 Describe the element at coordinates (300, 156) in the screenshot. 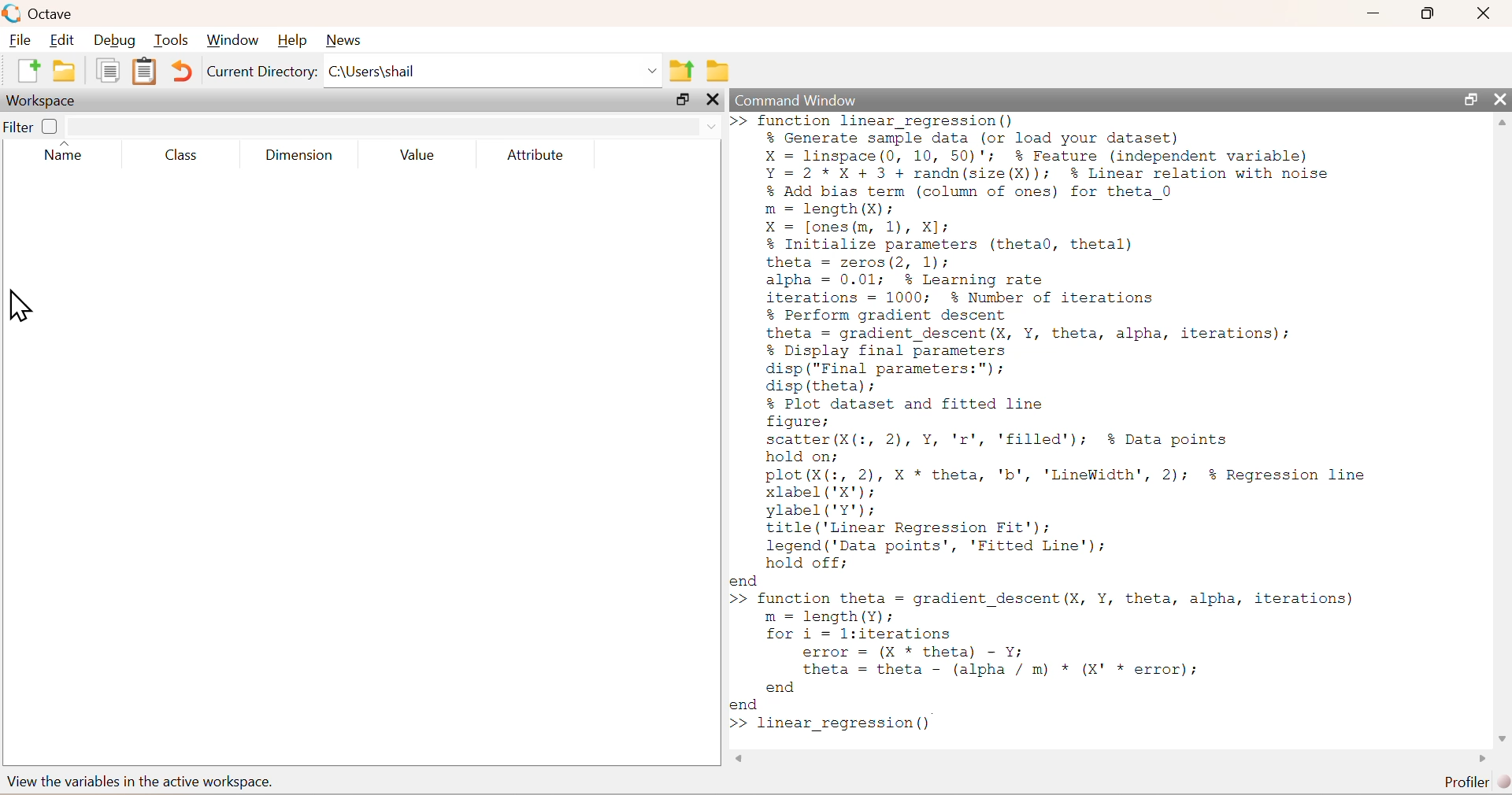

I see `Dimension` at that location.